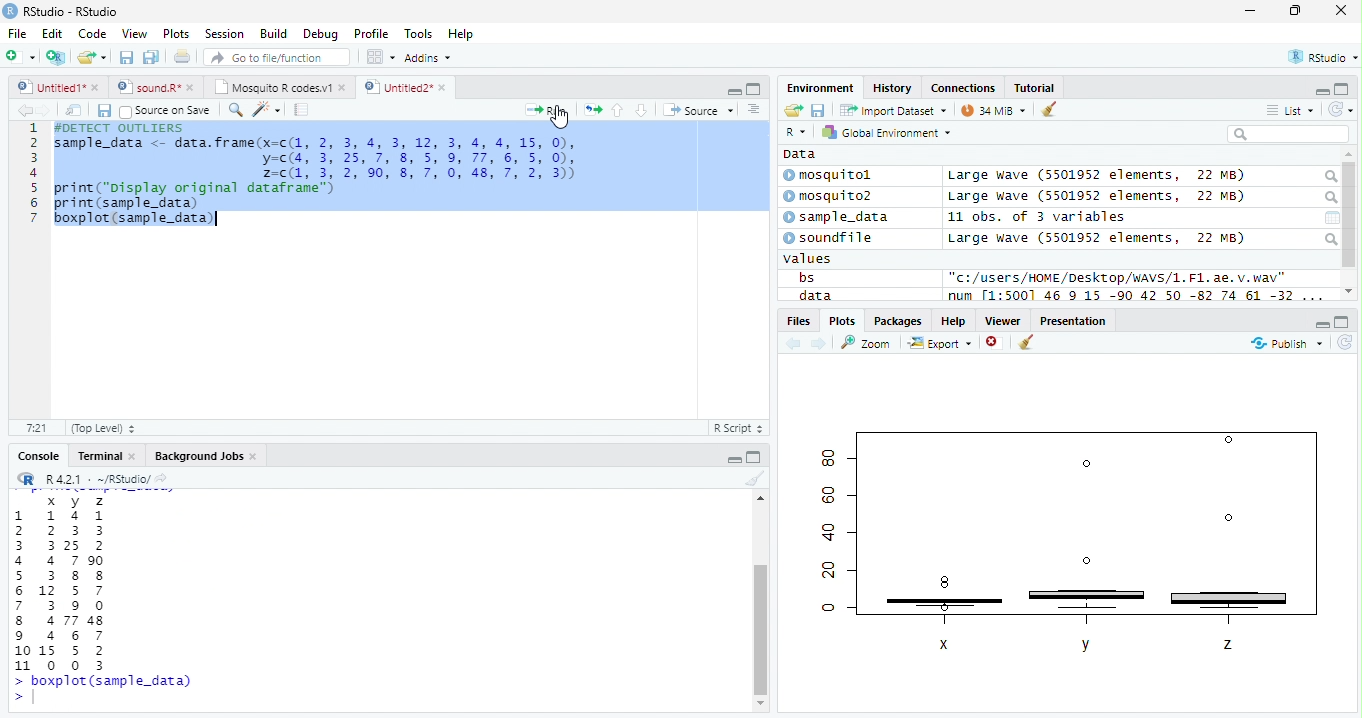 This screenshot has width=1362, height=718. Describe the element at coordinates (753, 479) in the screenshot. I see `clear workspace` at that location.